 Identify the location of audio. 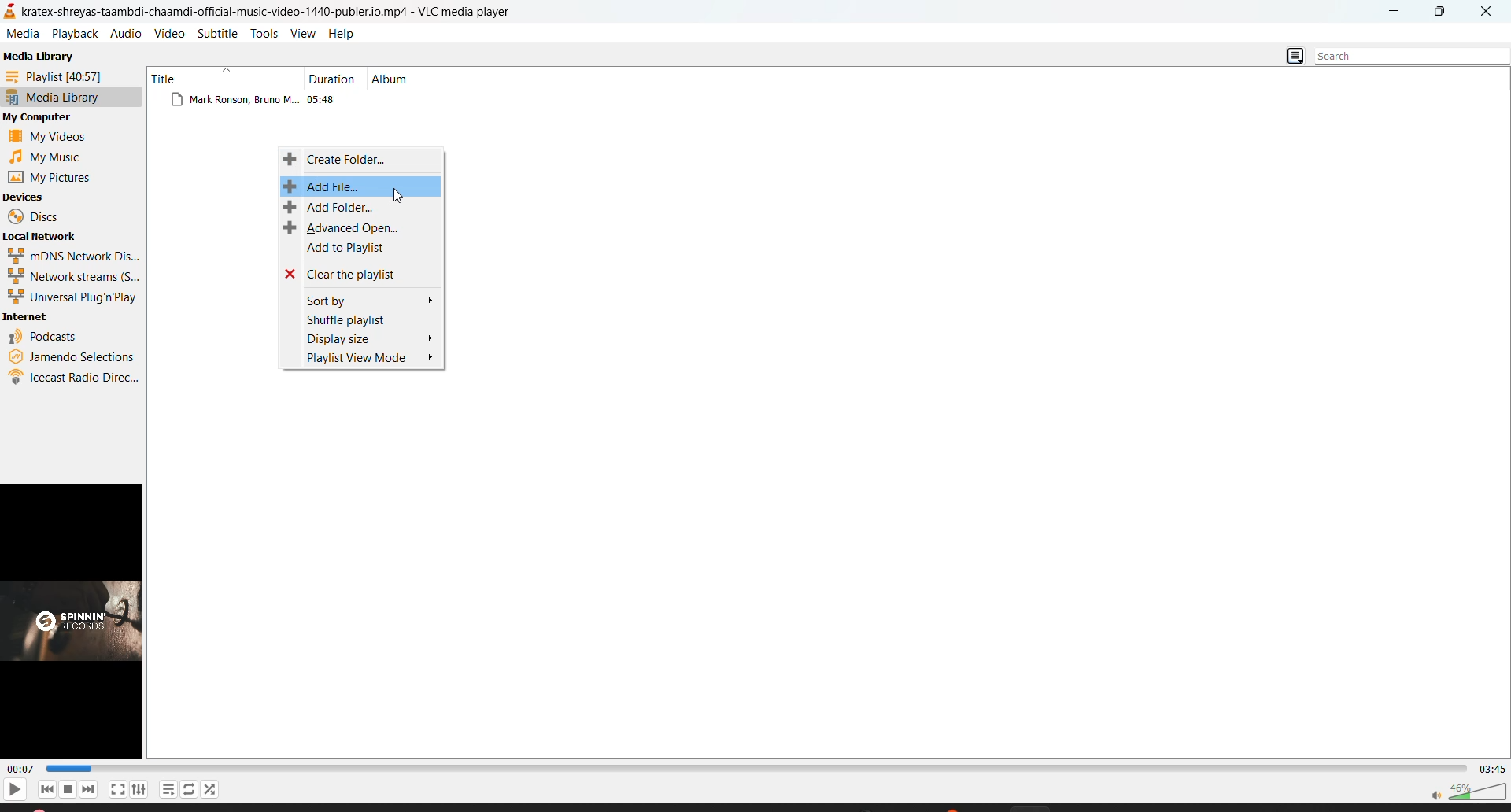
(127, 37).